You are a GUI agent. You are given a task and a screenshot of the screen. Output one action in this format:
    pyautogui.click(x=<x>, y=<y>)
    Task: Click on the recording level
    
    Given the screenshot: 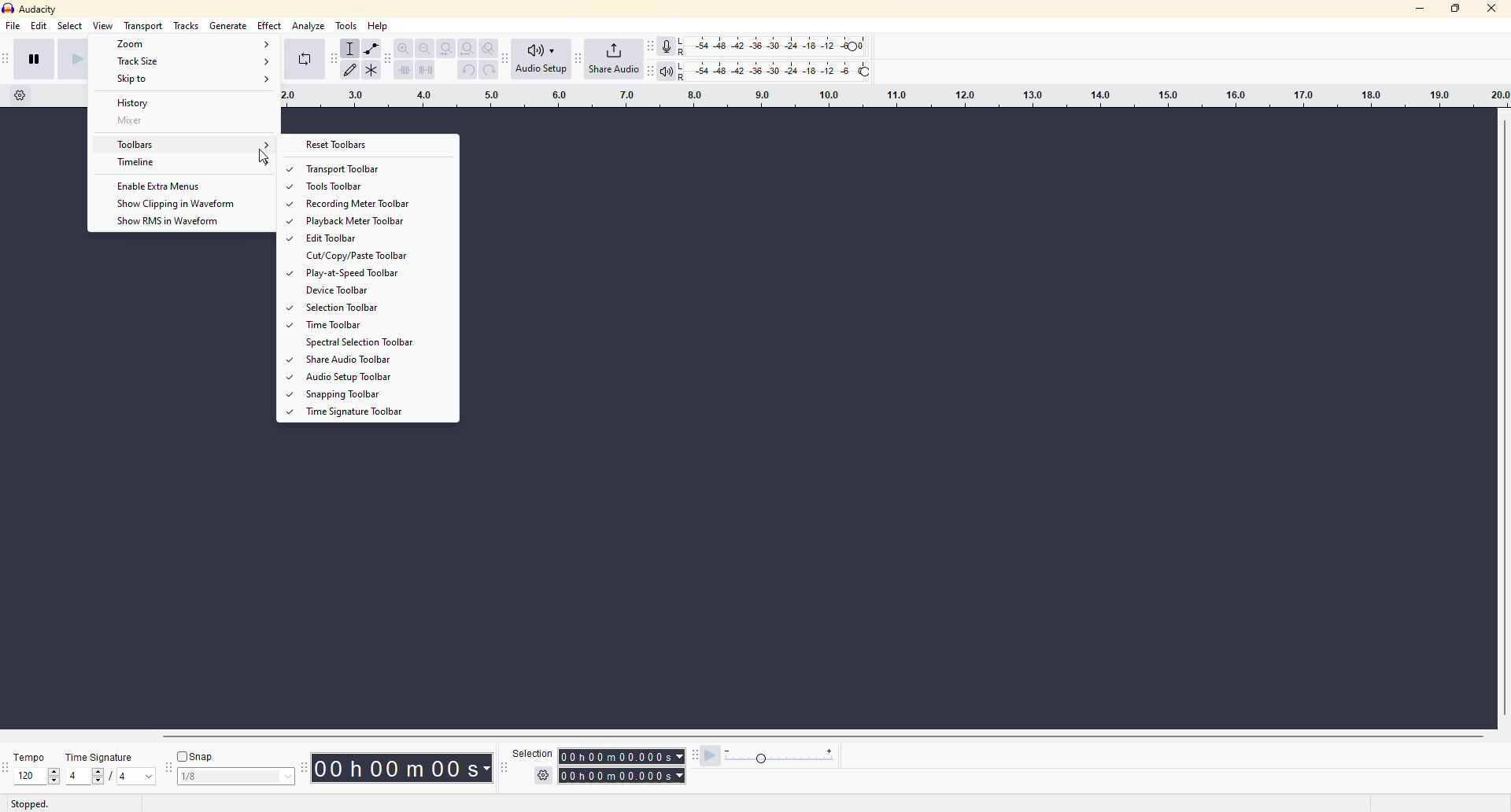 What is the action you would take?
    pyautogui.click(x=775, y=44)
    